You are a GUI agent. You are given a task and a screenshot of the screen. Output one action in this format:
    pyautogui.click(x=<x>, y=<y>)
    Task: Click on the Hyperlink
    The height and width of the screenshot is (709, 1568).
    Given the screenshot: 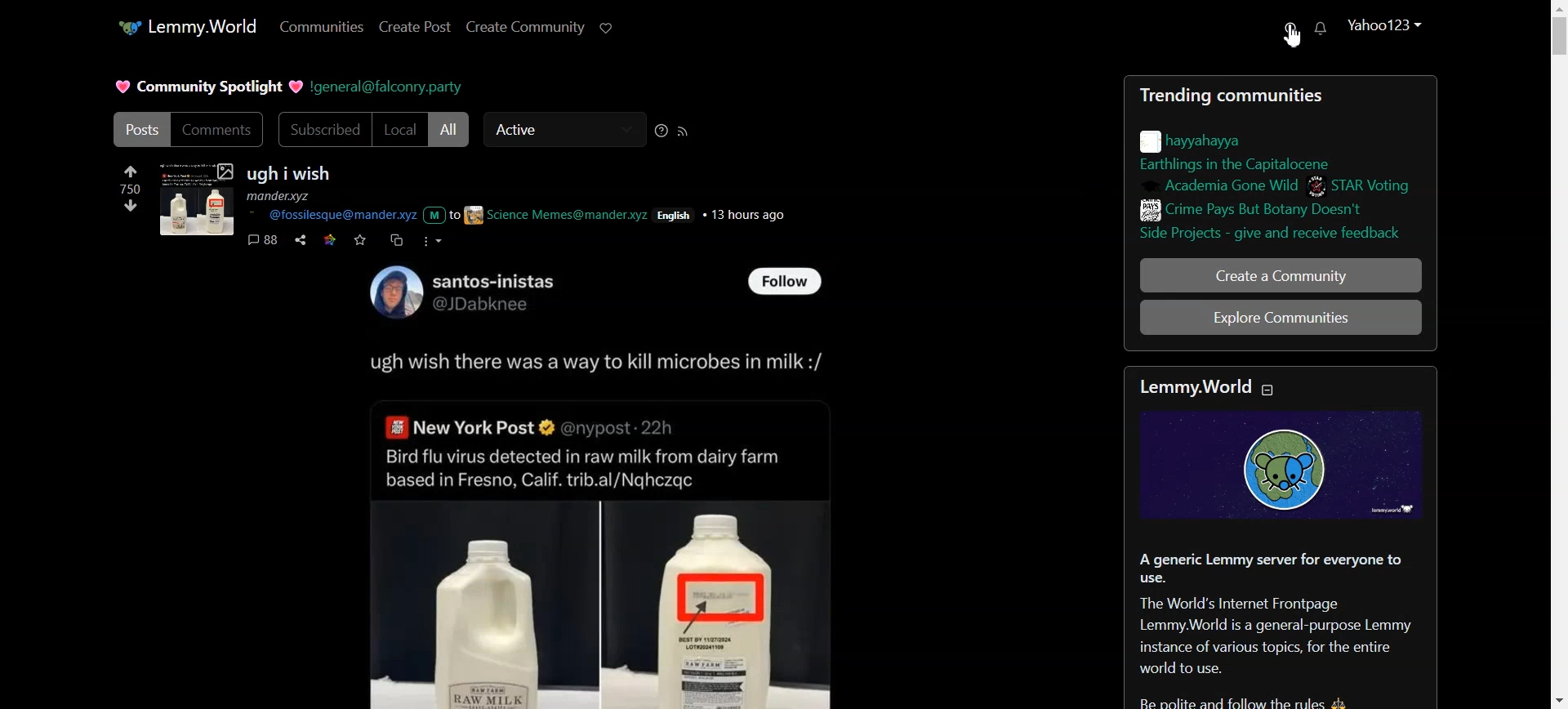 What is the action you would take?
    pyautogui.click(x=390, y=87)
    